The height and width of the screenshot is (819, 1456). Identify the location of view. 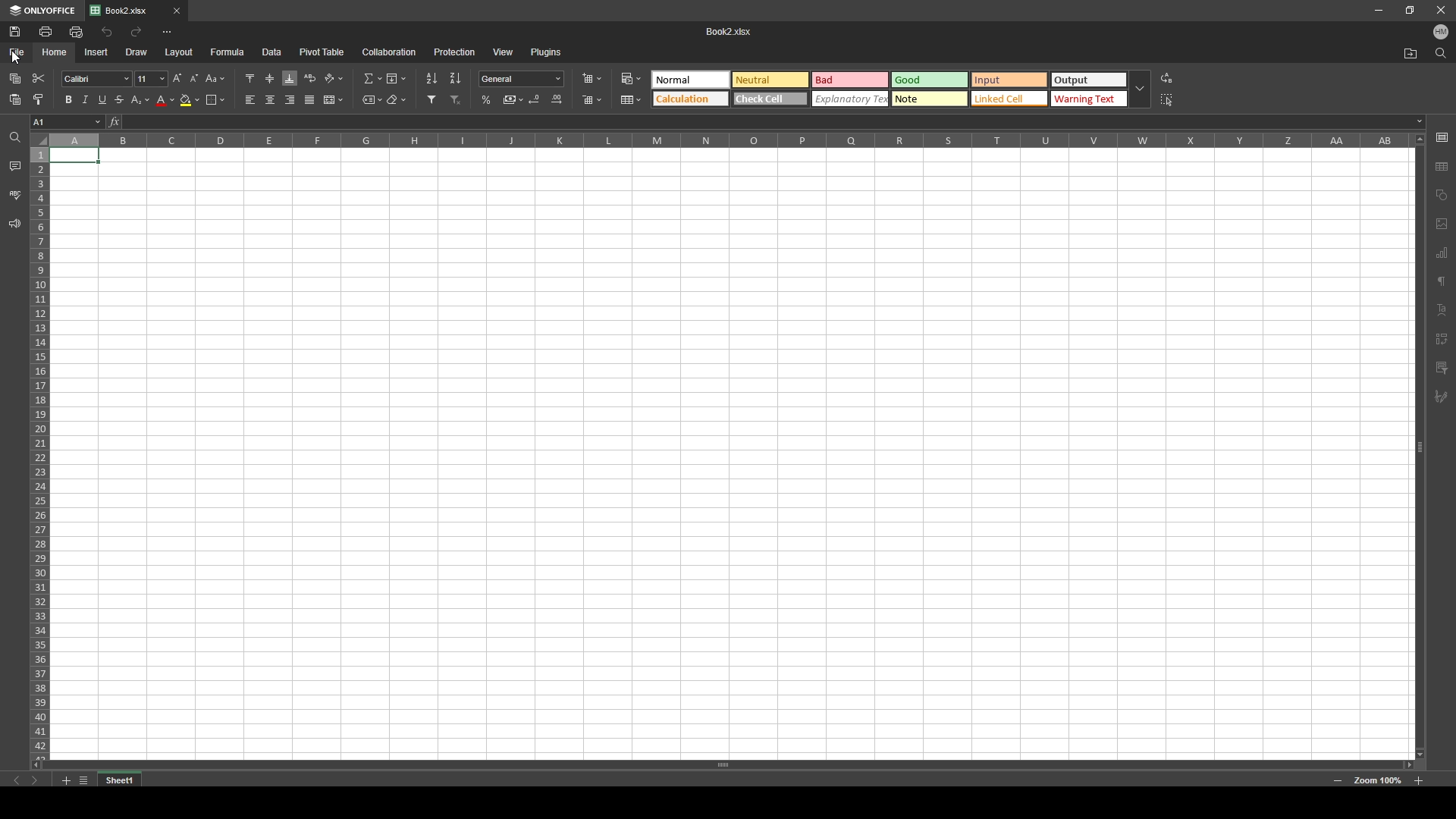
(503, 52).